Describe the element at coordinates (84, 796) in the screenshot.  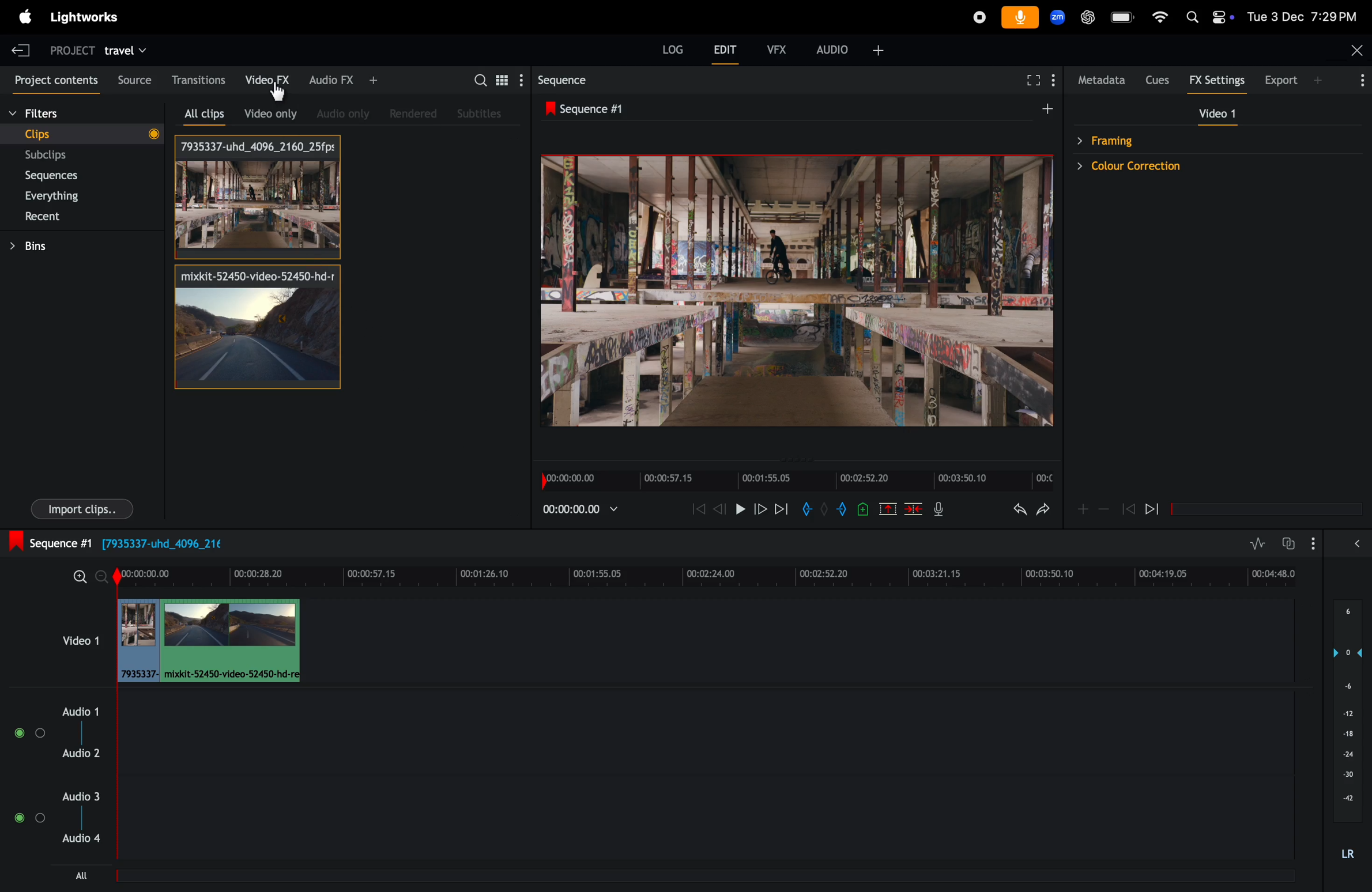
I see `audio 3` at that location.